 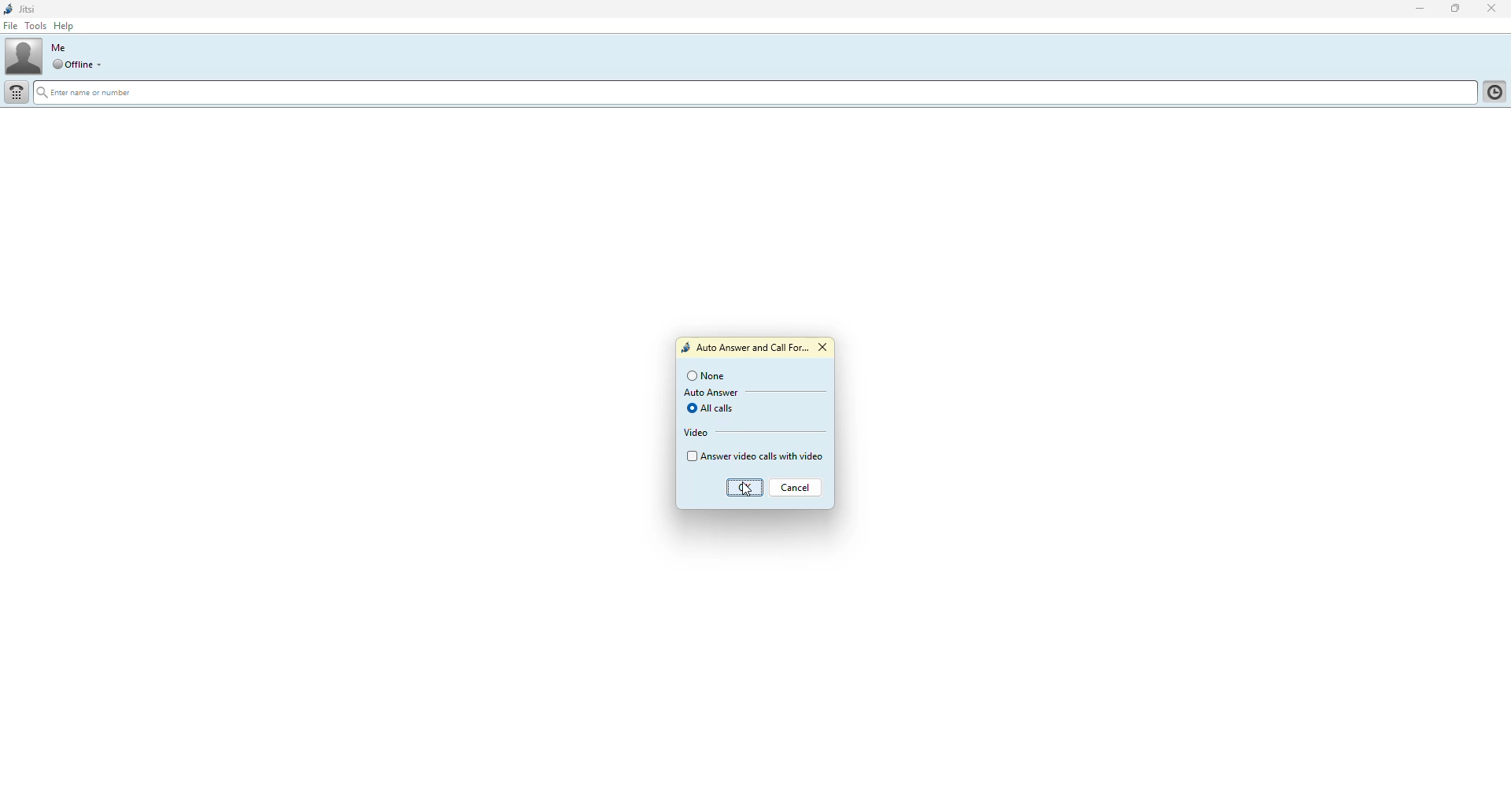 What do you see at coordinates (72, 65) in the screenshot?
I see `offline` at bounding box center [72, 65].